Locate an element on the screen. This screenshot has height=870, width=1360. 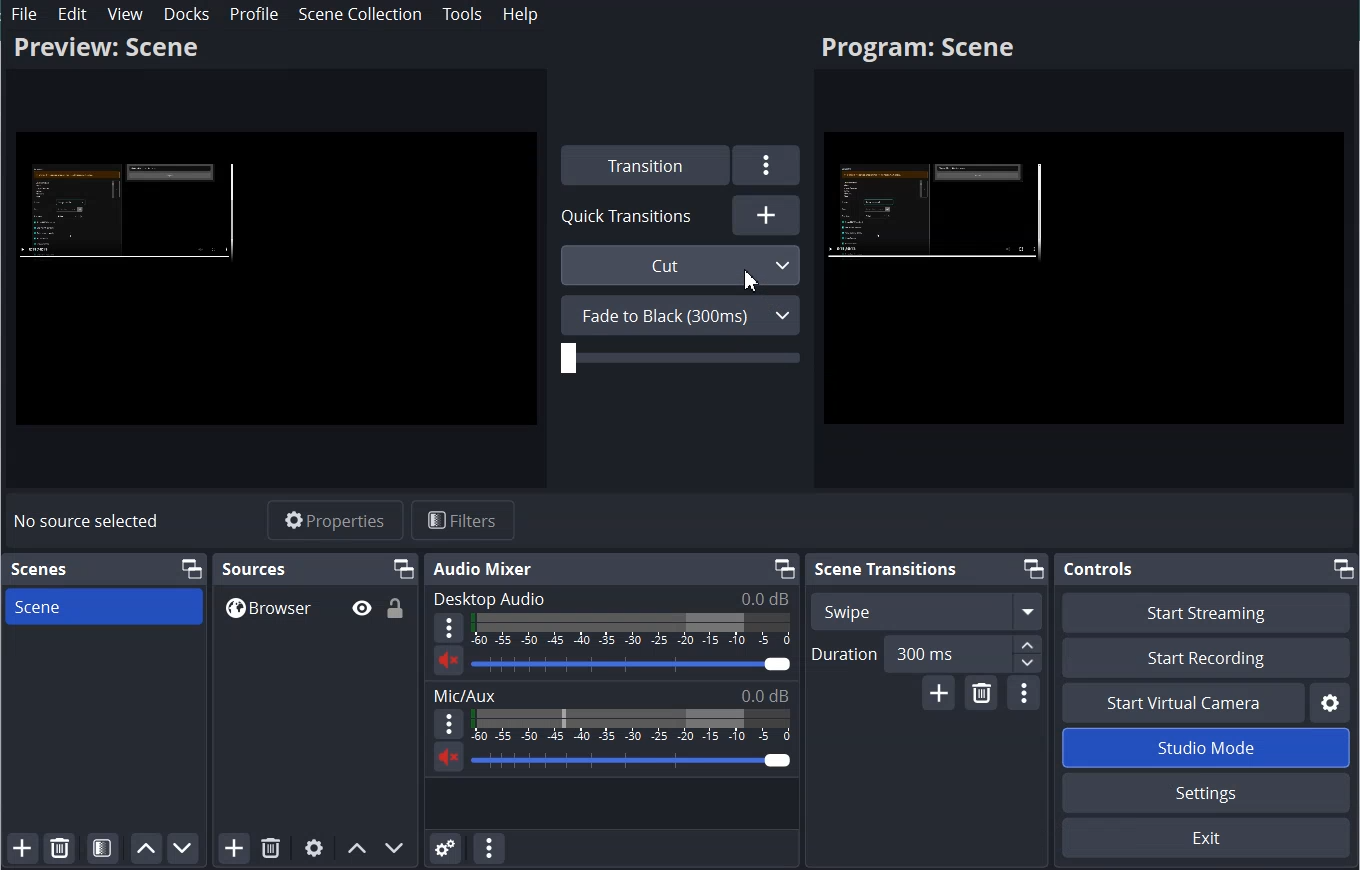
View is located at coordinates (126, 14).